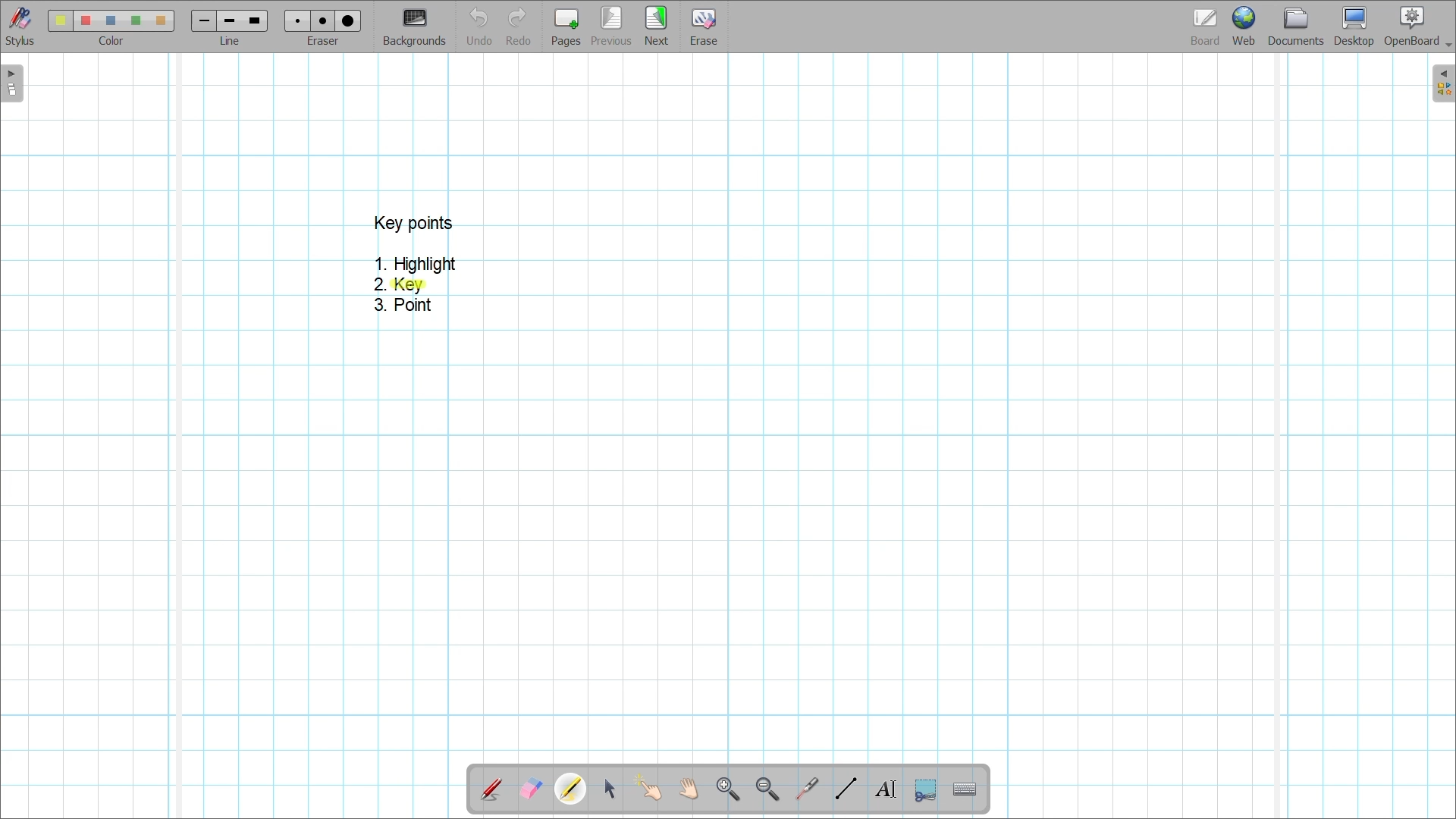 This screenshot has width=1456, height=819. What do you see at coordinates (926, 791) in the screenshot?
I see `Capture part of the screen` at bounding box center [926, 791].